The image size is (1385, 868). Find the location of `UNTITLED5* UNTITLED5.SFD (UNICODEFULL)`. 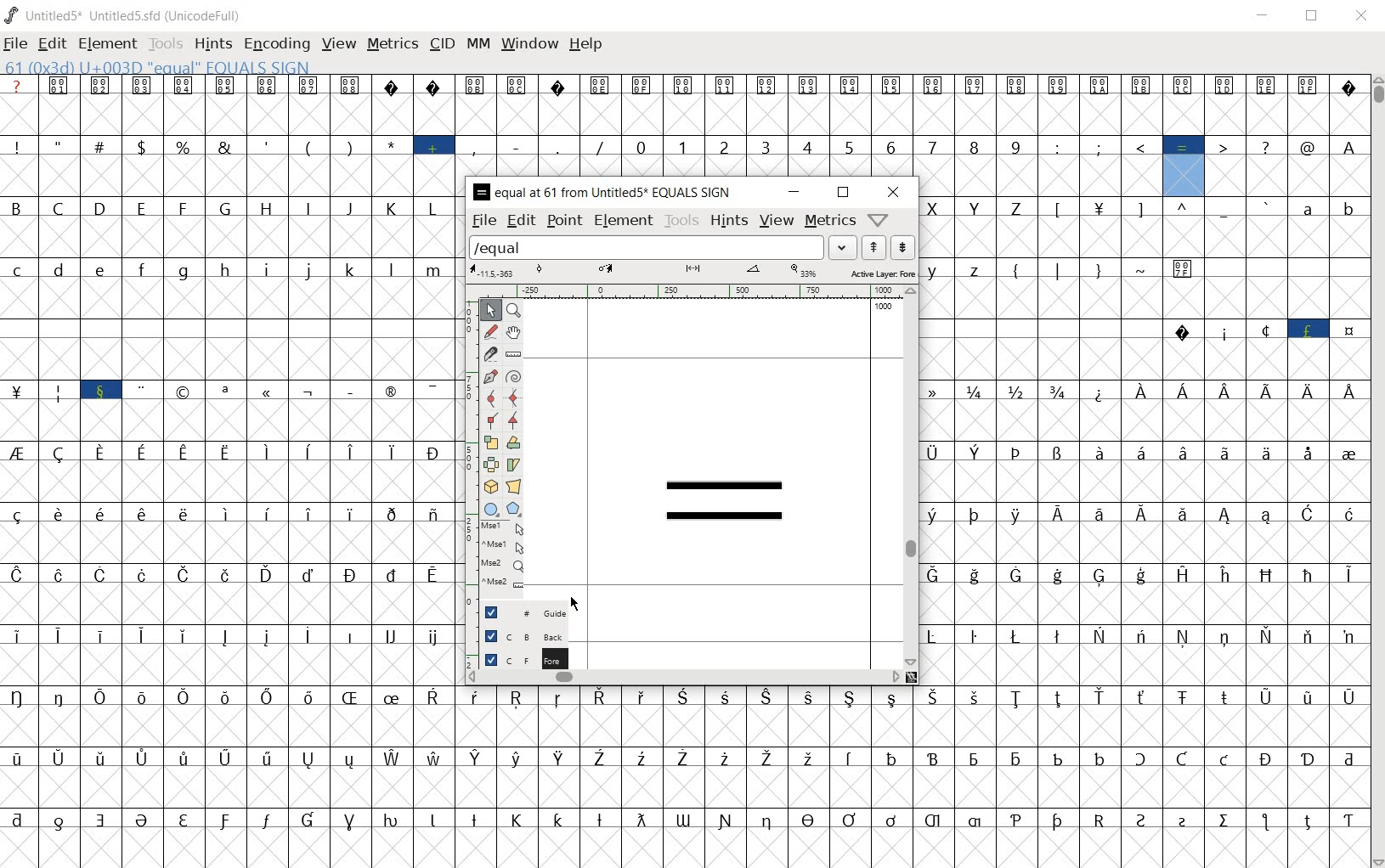

UNTITLED5* UNTITLED5.SFD (UNICODEFULL) is located at coordinates (127, 14).